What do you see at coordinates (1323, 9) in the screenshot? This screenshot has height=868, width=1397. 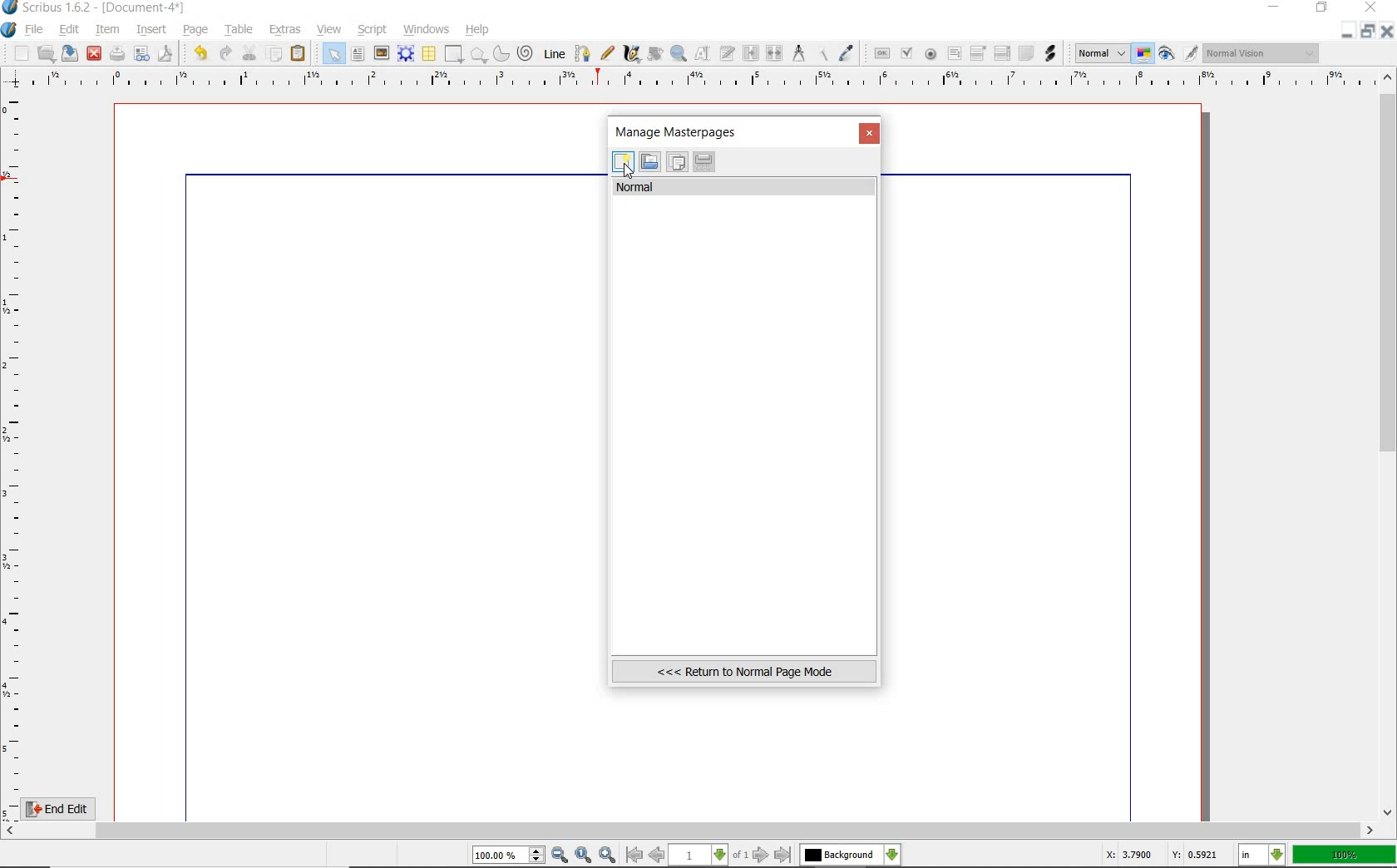 I see `restore` at bounding box center [1323, 9].